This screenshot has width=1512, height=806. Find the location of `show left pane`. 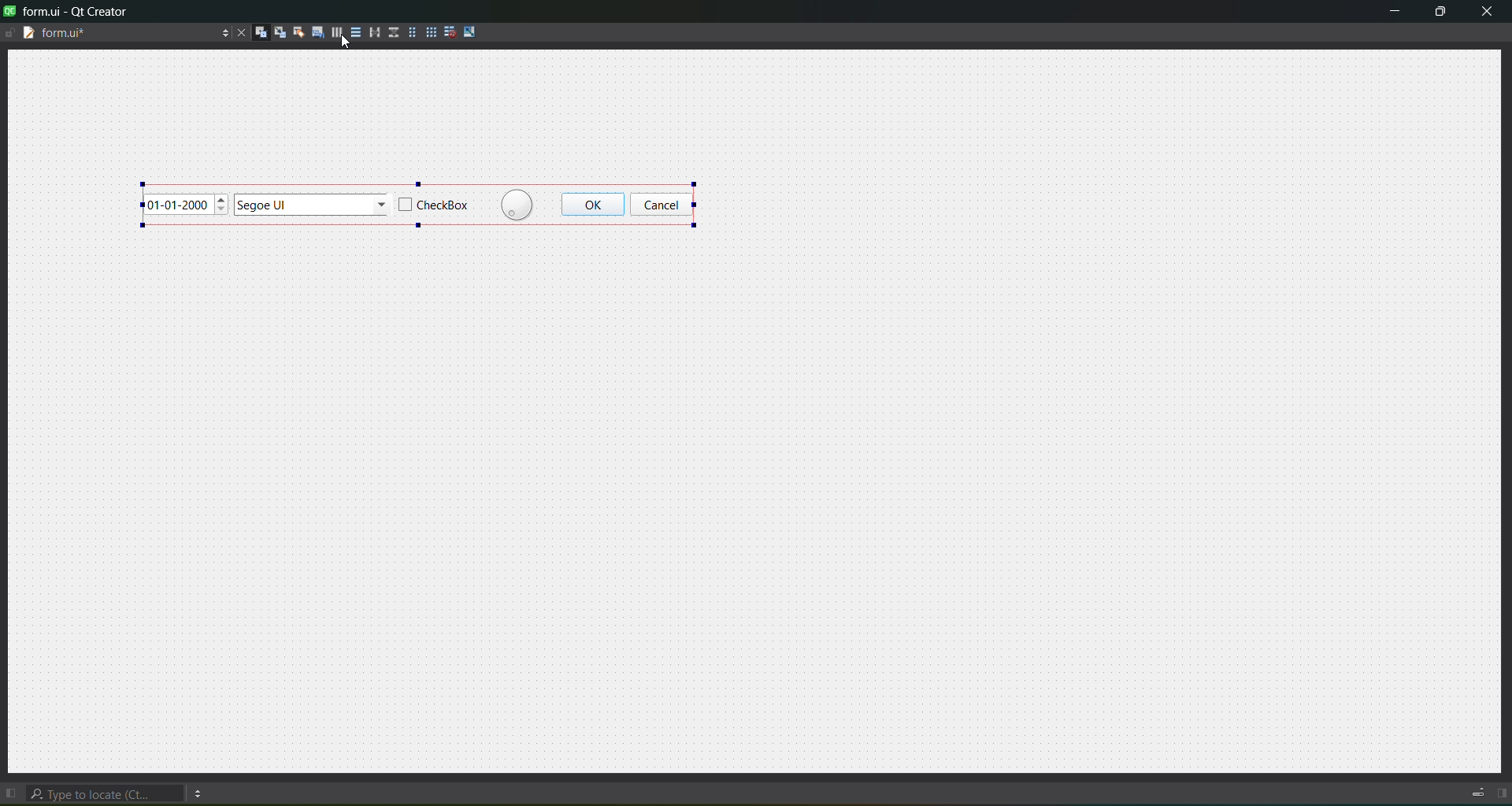

show left pane is located at coordinates (10, 789).